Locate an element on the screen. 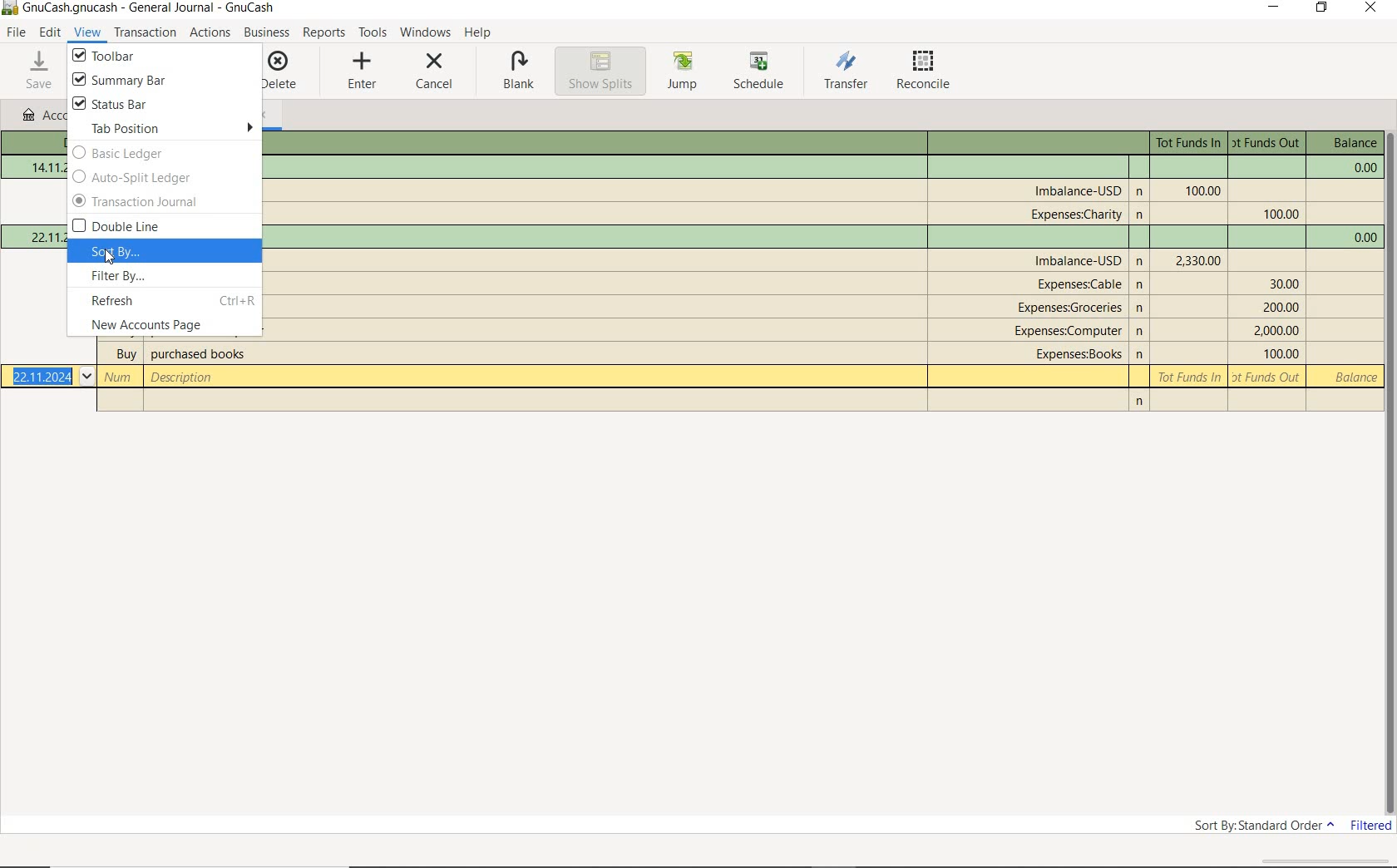 This screenshot has width=1397, height=868. account is located at coordinates (1075, 355).